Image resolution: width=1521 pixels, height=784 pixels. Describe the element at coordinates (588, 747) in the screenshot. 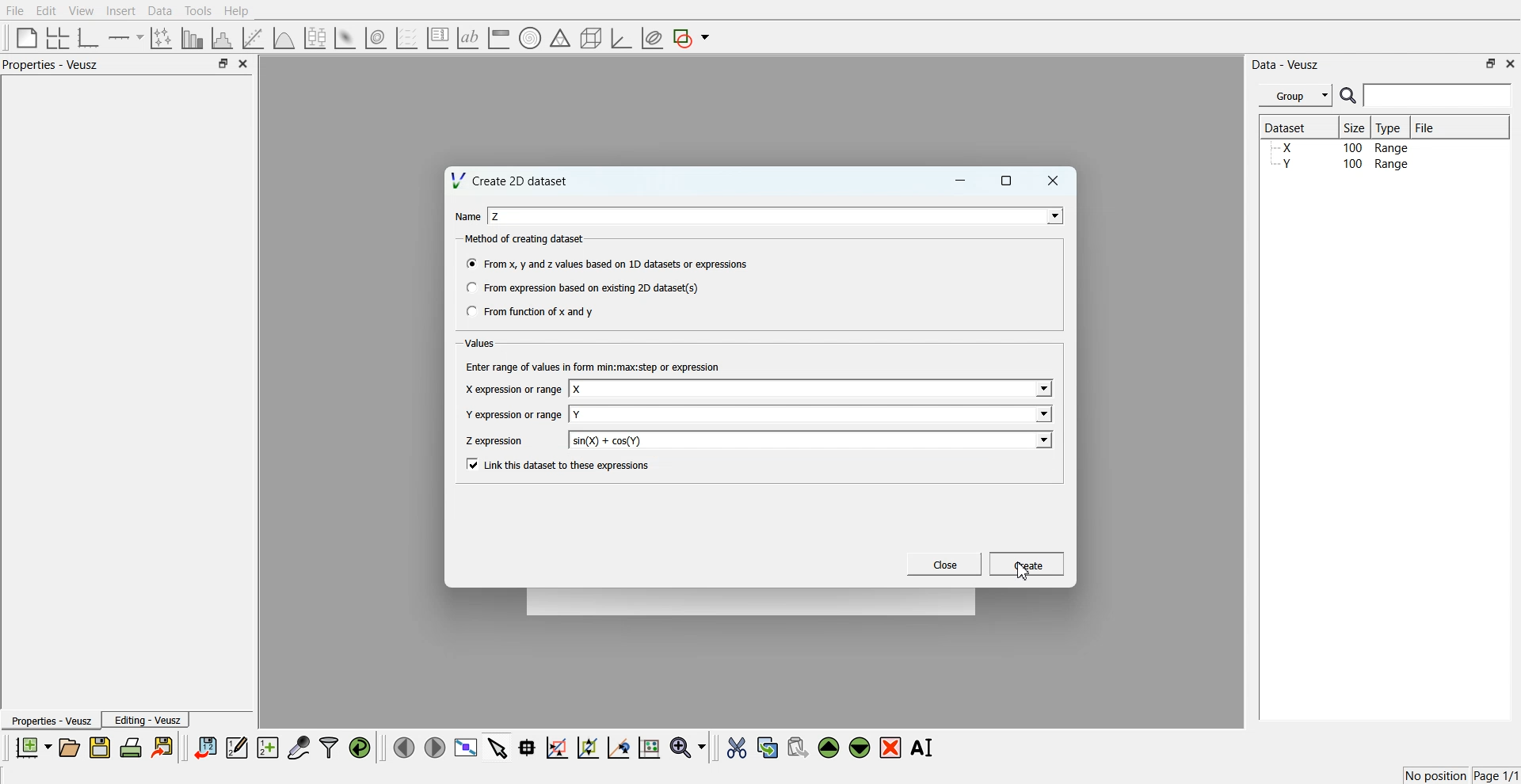

I see `Zoom out of the graph axes` at that location.